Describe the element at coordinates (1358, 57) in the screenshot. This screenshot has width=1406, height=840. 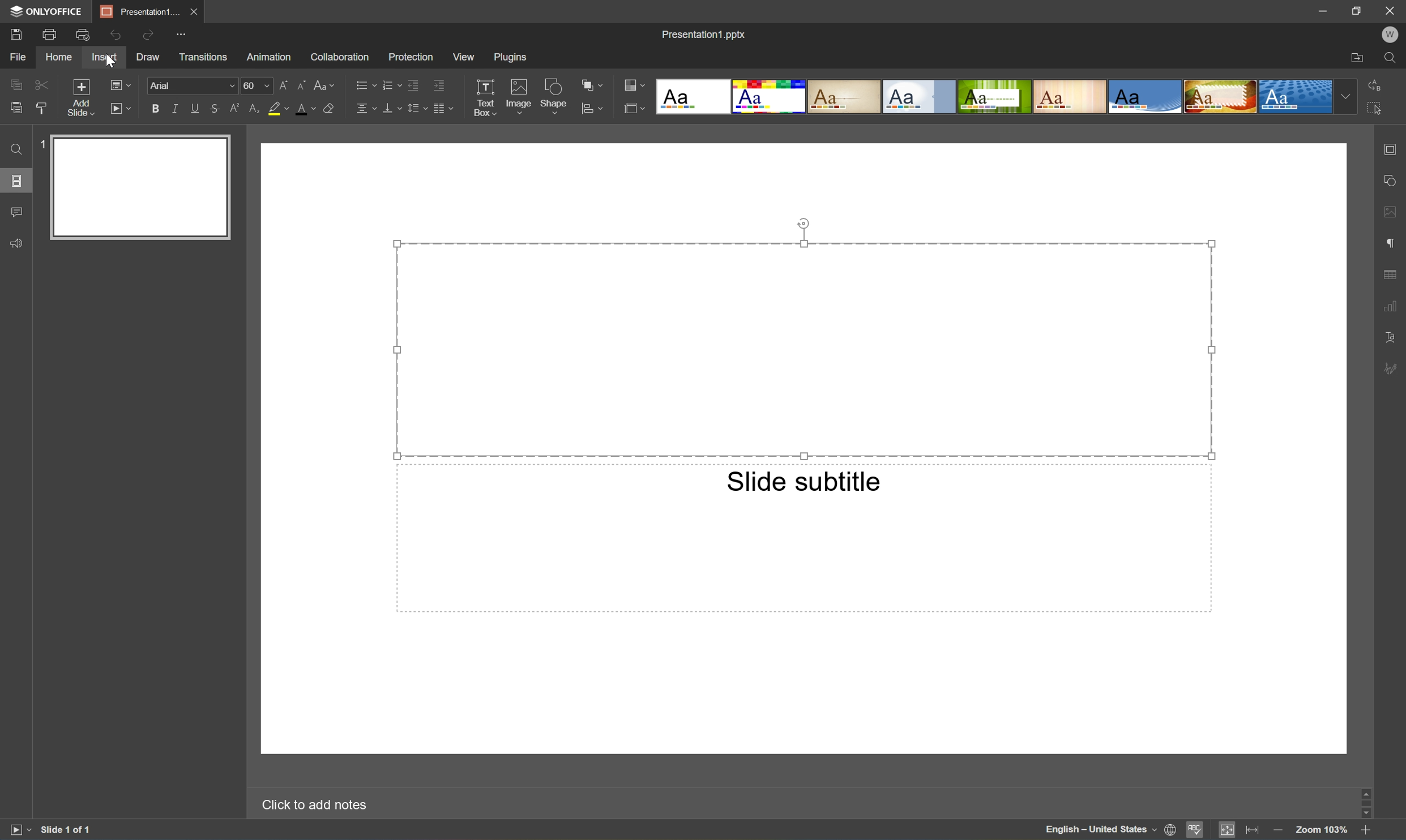
I see `Open file location` at that location.